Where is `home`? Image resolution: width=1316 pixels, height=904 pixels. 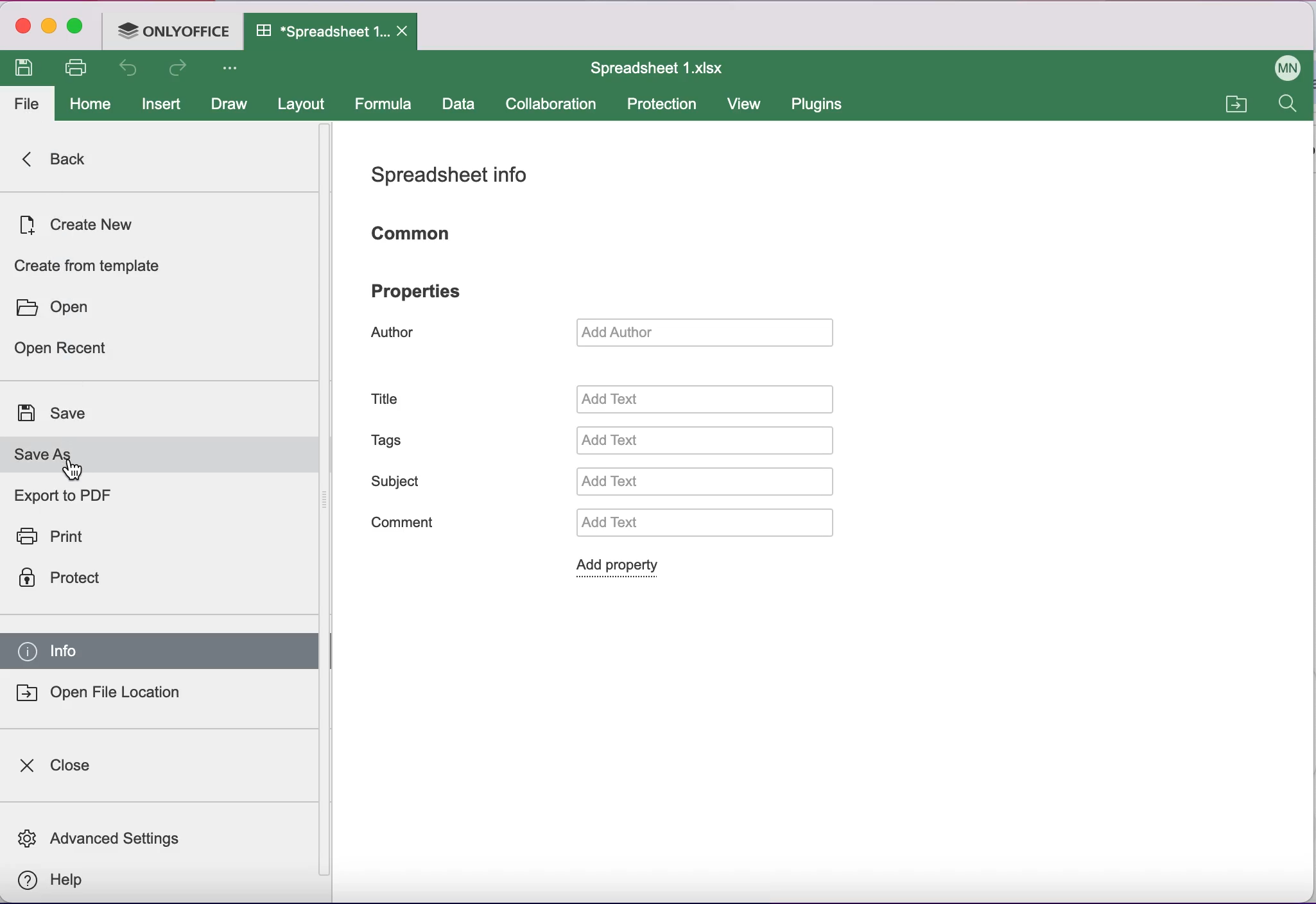 home is located at coordinates (85, 102).